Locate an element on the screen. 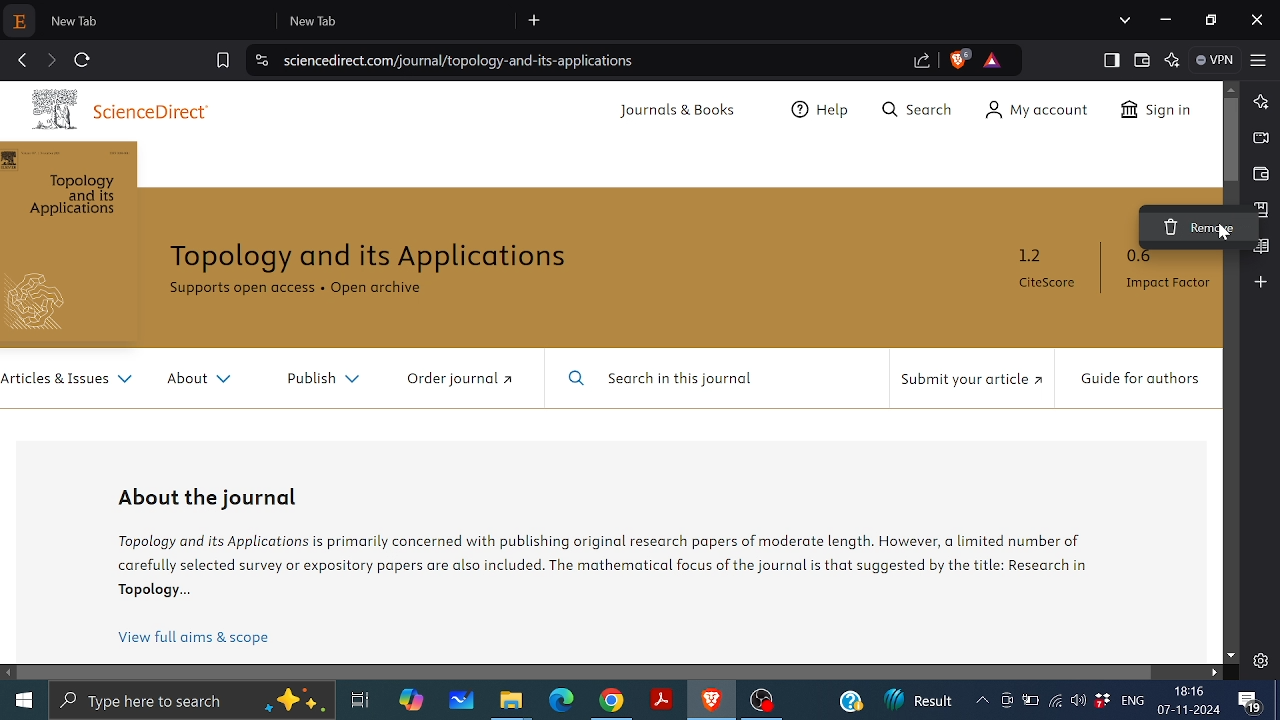  Add to sidebar is located at coordinates (1262, 281).